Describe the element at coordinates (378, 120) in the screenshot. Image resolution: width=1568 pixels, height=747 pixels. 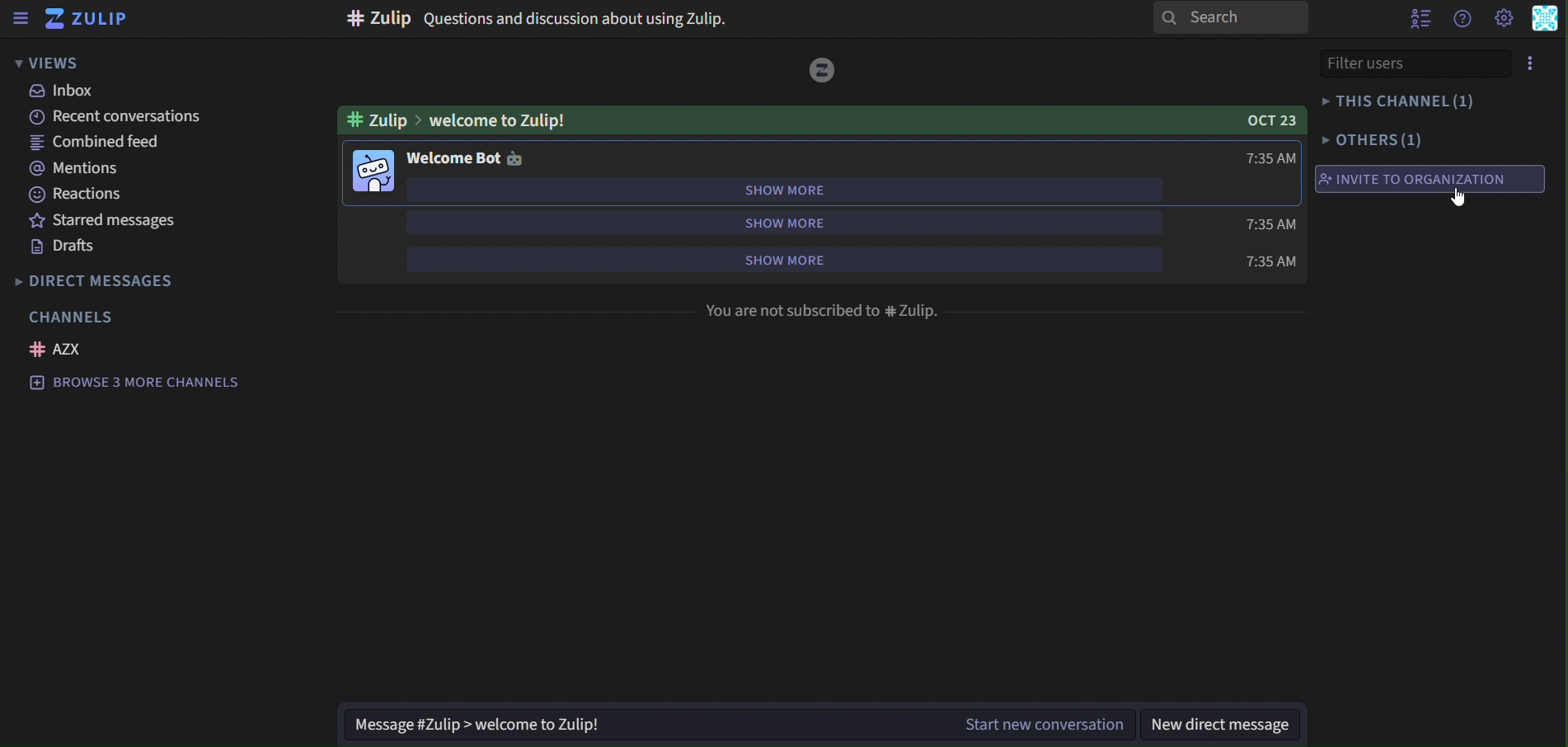
I see `#zulip` at that location.